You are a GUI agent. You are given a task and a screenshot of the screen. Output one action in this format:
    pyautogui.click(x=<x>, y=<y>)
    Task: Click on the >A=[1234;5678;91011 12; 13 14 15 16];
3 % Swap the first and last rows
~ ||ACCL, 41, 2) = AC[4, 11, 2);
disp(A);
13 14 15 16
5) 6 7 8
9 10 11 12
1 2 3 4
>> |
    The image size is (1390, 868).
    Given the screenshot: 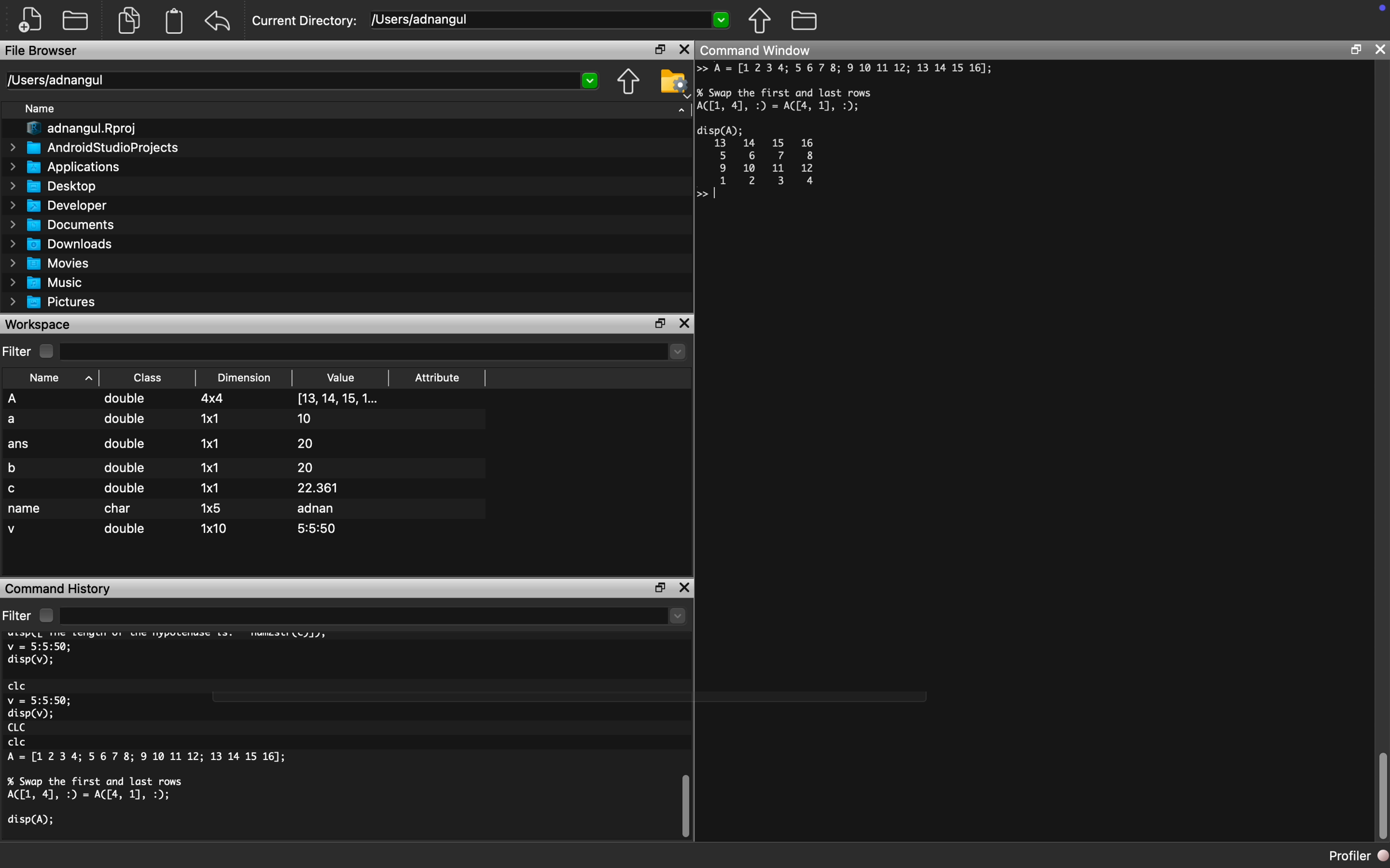 What is the action you would take?
    pyautogui.click(x=854, y=141)
    